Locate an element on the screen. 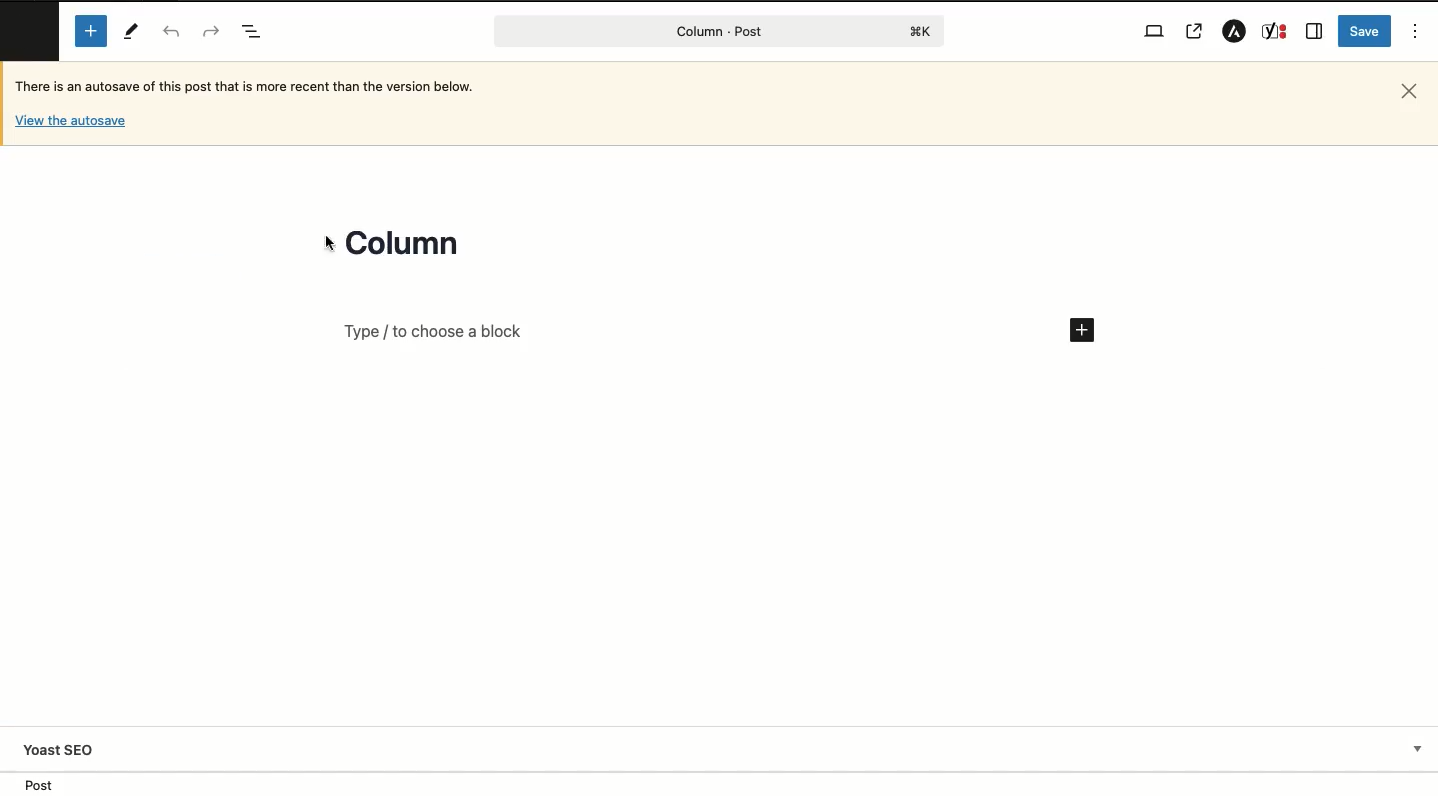 The image size is (1438, 796). Yoast is located at coordinates (1274, 31).